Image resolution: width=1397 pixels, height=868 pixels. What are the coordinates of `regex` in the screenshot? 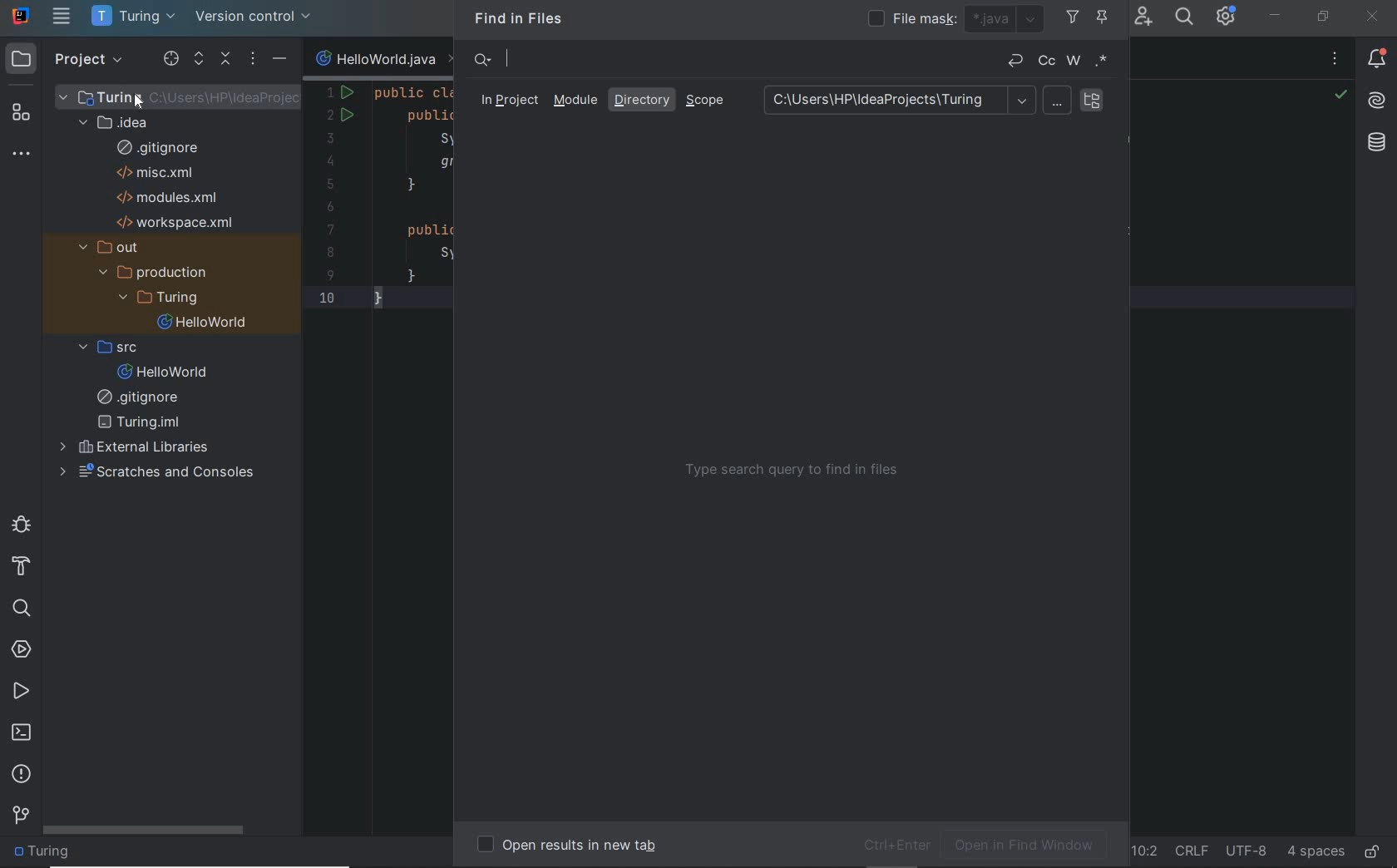 It's located at (1104, 61).